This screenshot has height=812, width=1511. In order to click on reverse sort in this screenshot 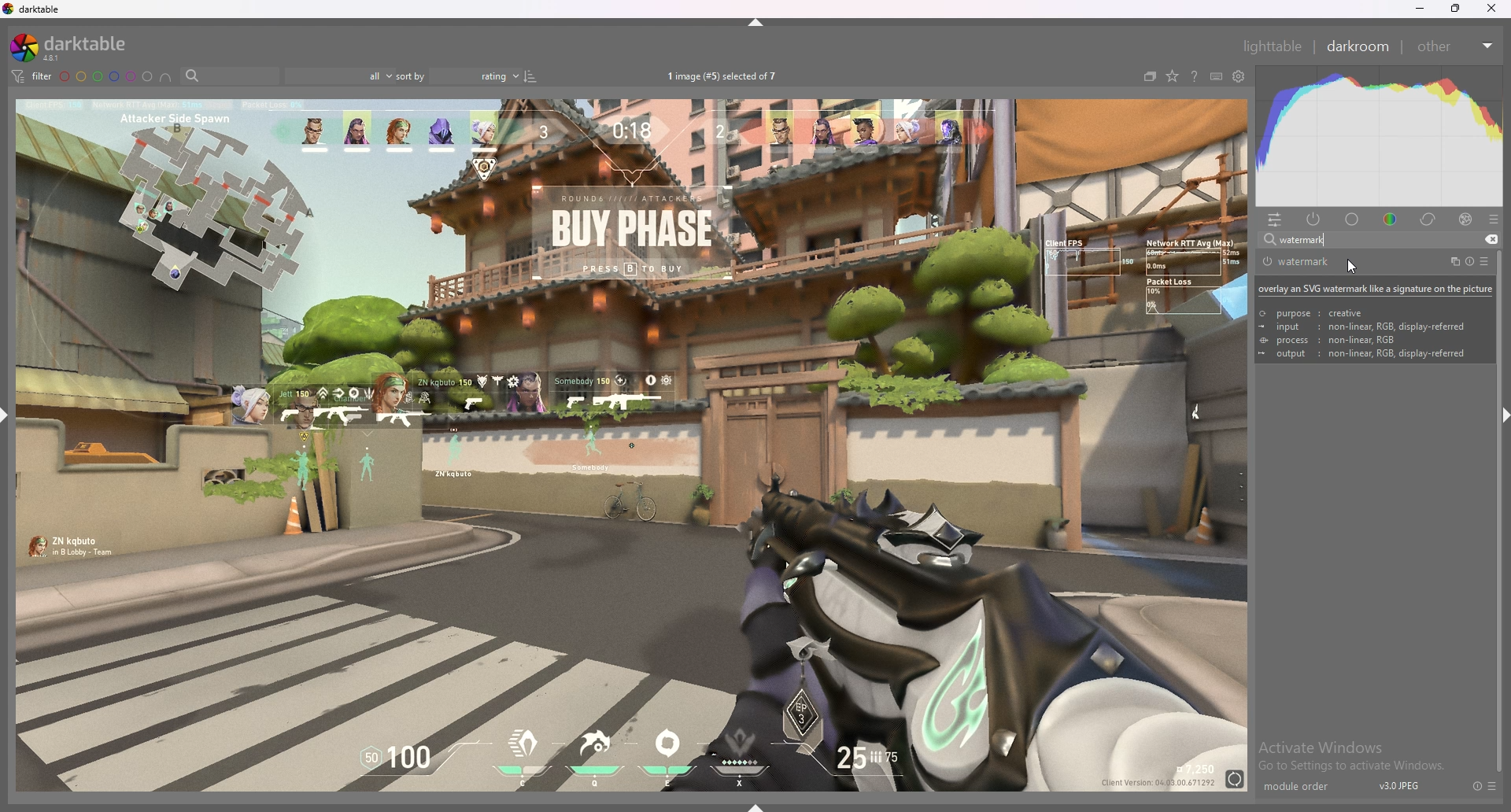, I will do `click(530, 76)`.